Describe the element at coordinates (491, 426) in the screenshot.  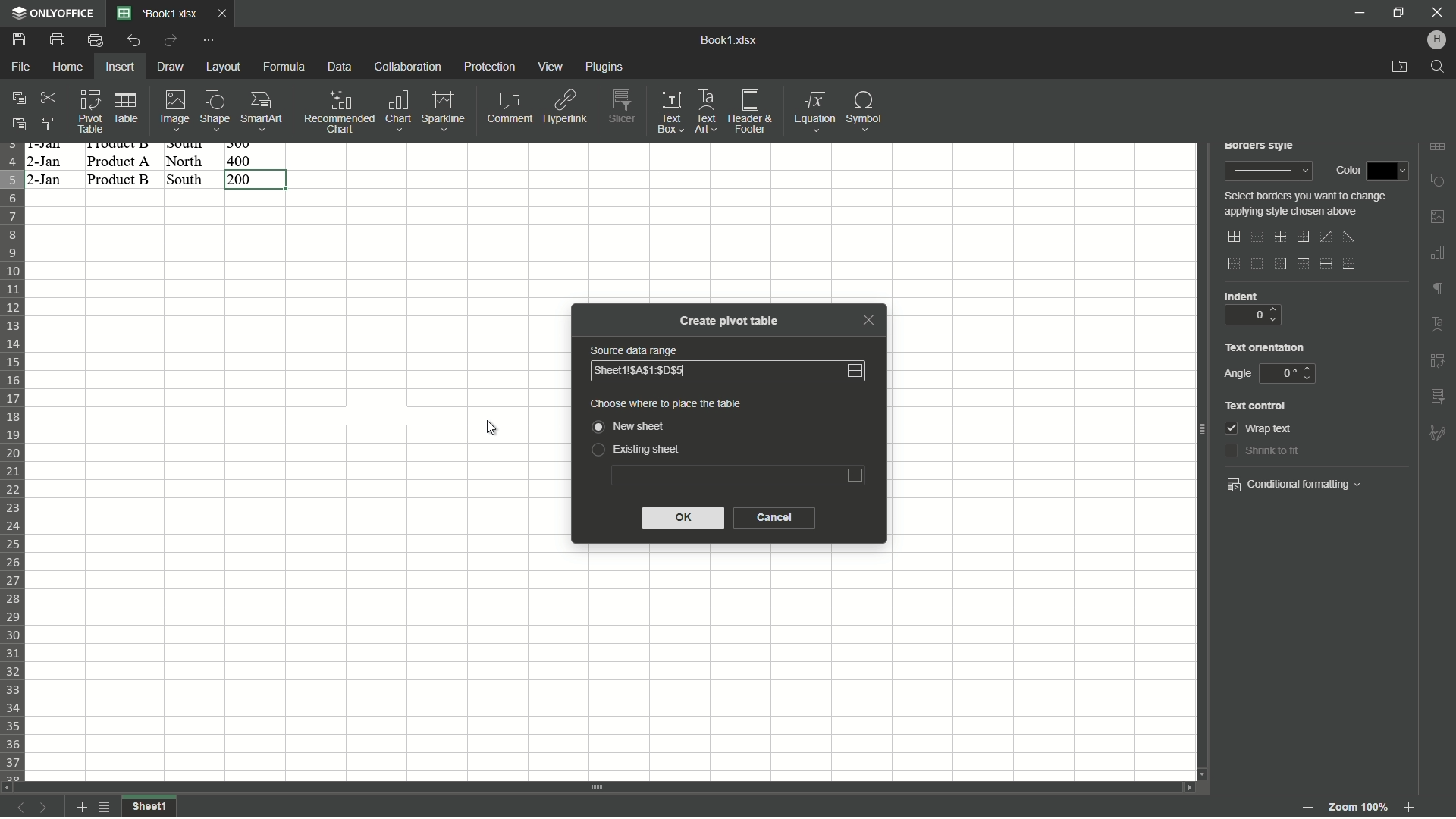
I see `cursor` at that location.